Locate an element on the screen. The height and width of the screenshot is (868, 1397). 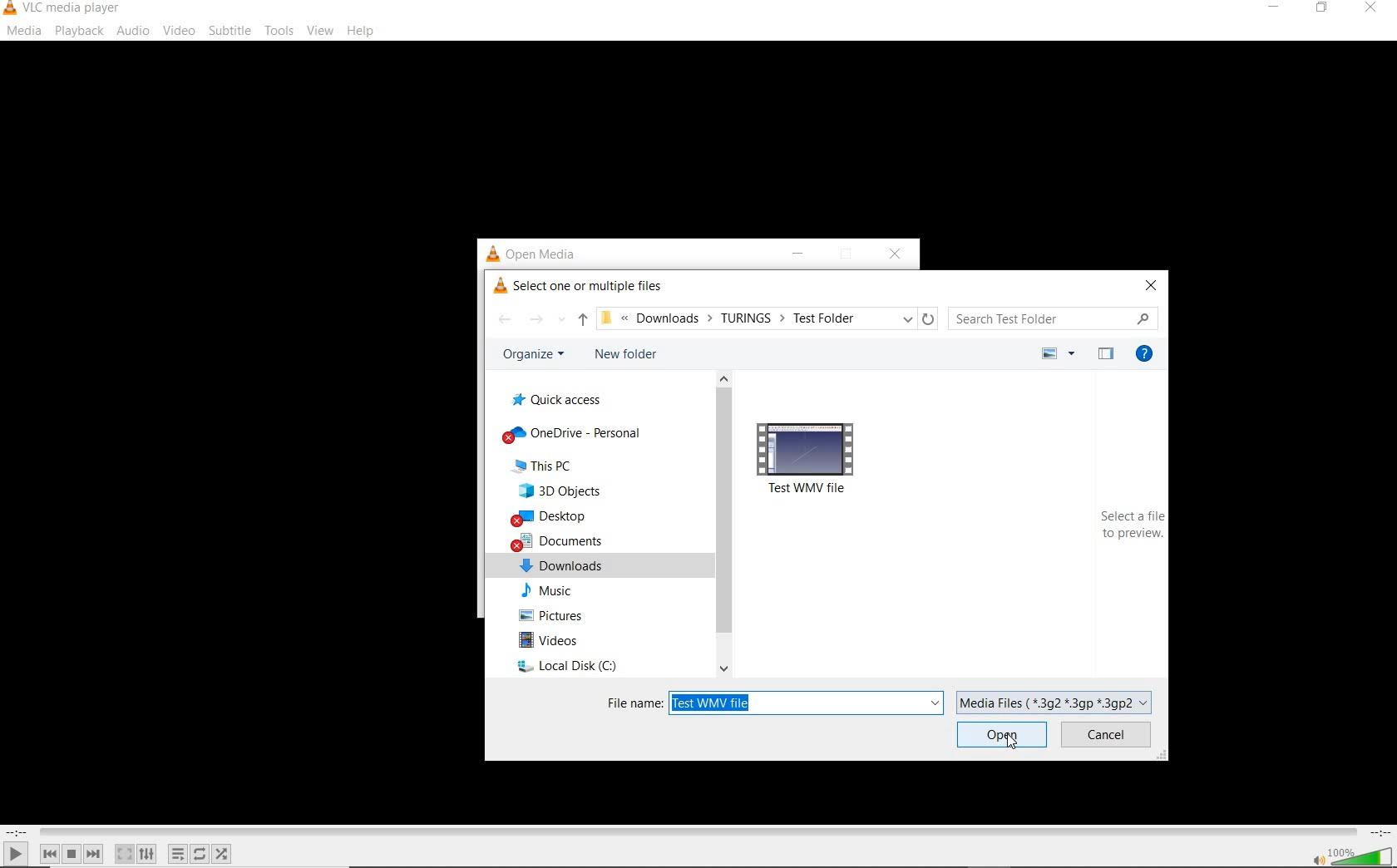
Media Files is located at coordinates (1054, 703).